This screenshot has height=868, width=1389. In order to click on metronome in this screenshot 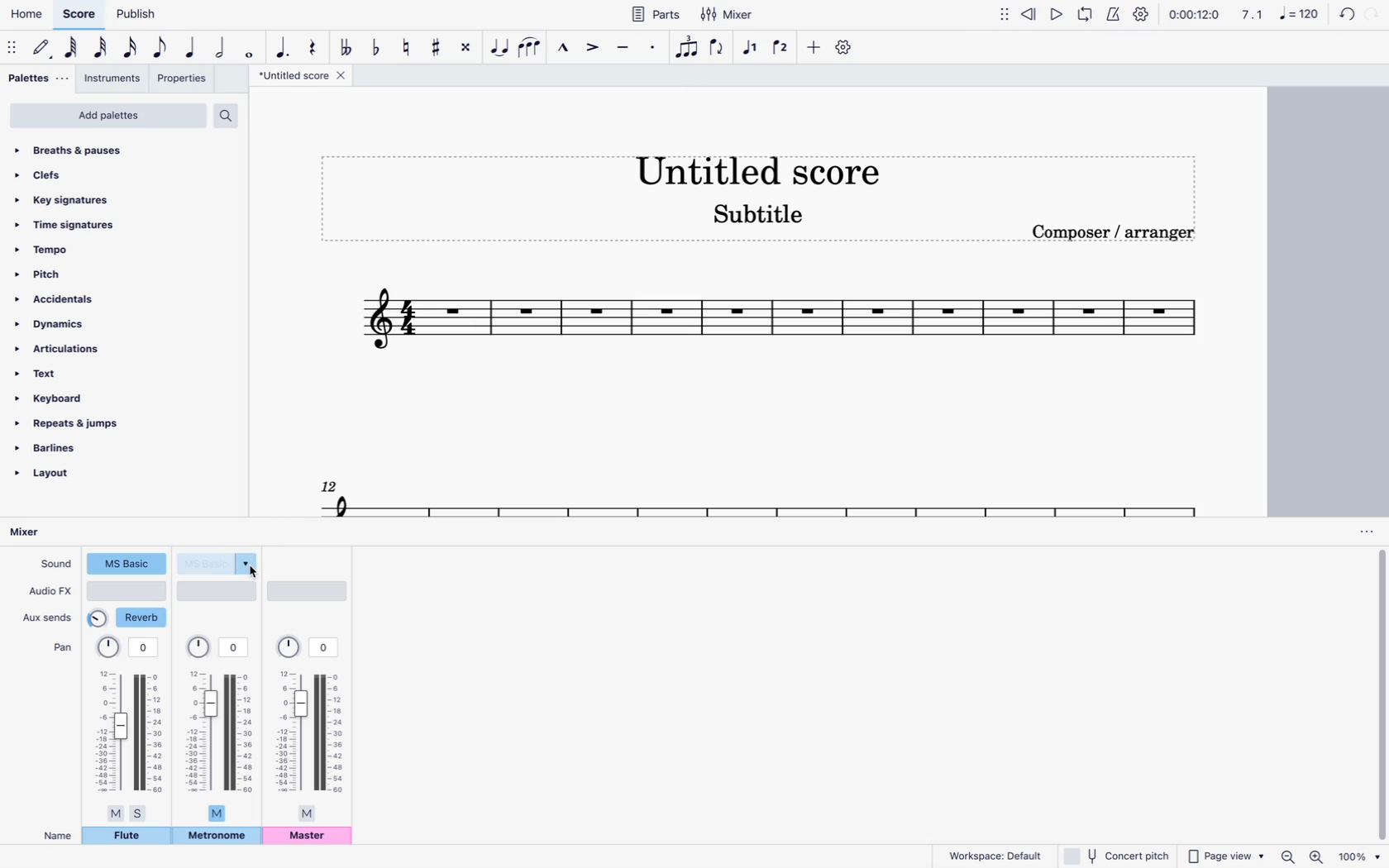, I will do `click(217, 837)`.